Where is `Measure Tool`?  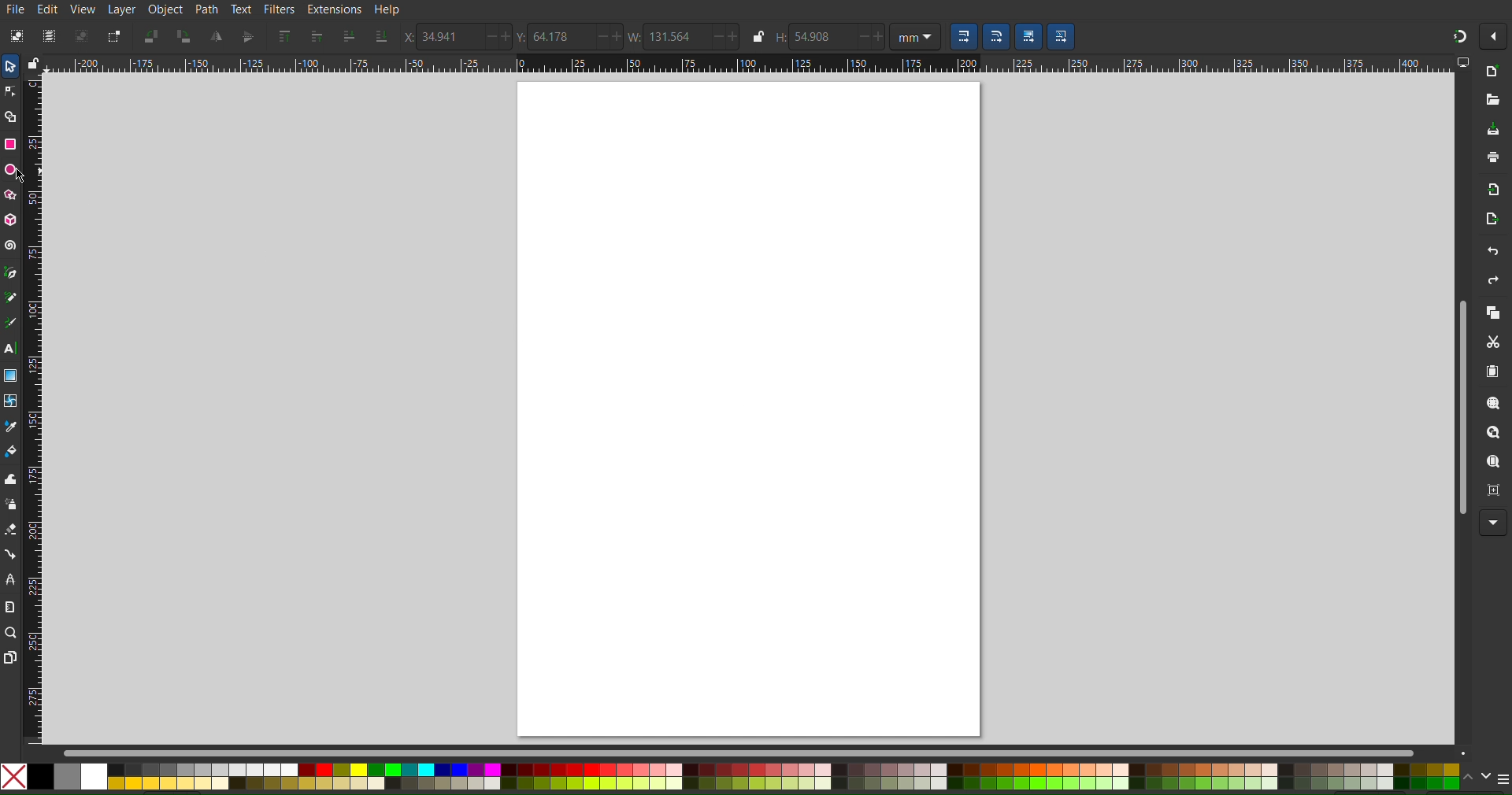 Measure Tool is located at coordinates (10, 606).